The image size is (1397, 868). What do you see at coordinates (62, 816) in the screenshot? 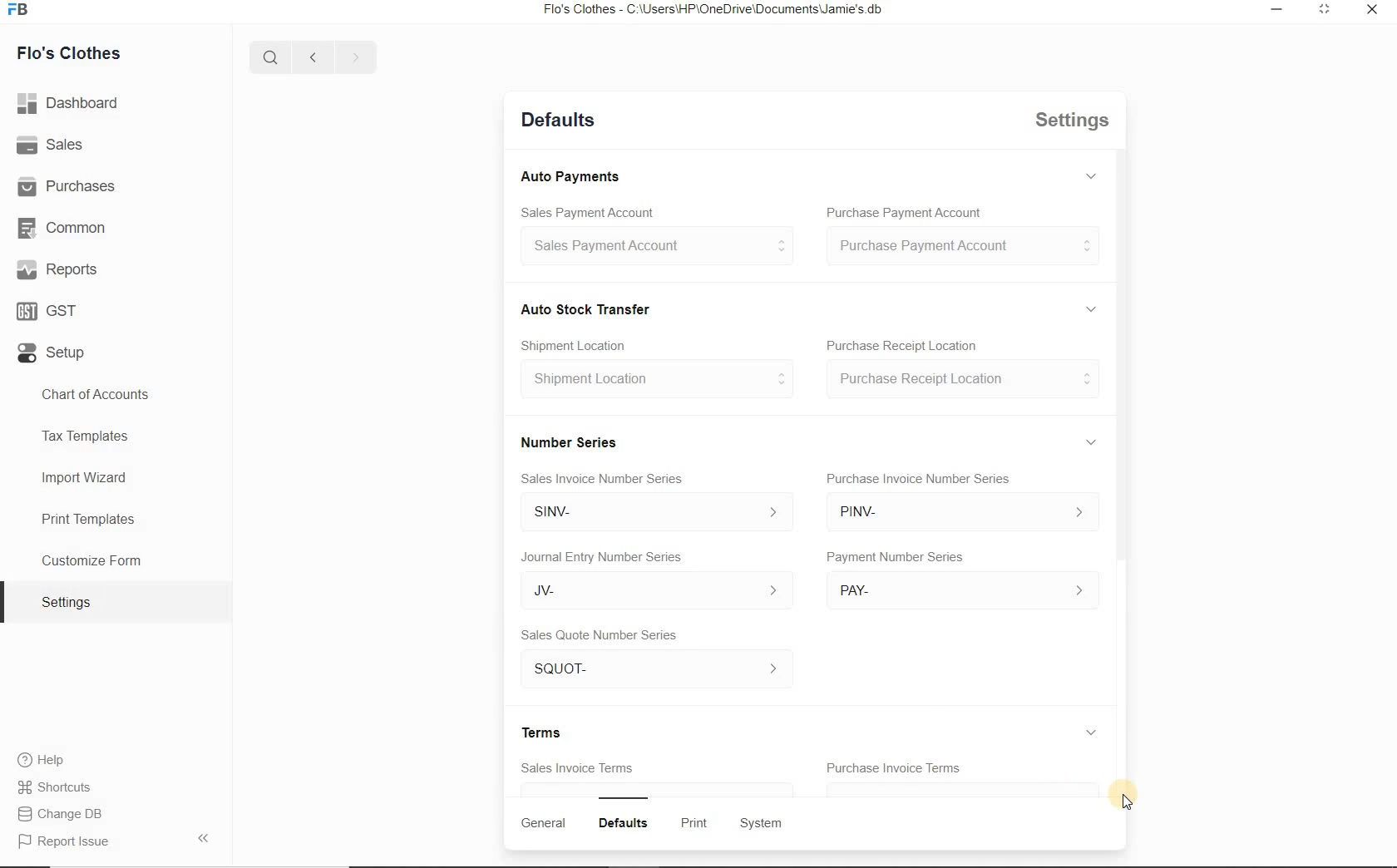
I see `Change DB` at bounding box center [62, 816].